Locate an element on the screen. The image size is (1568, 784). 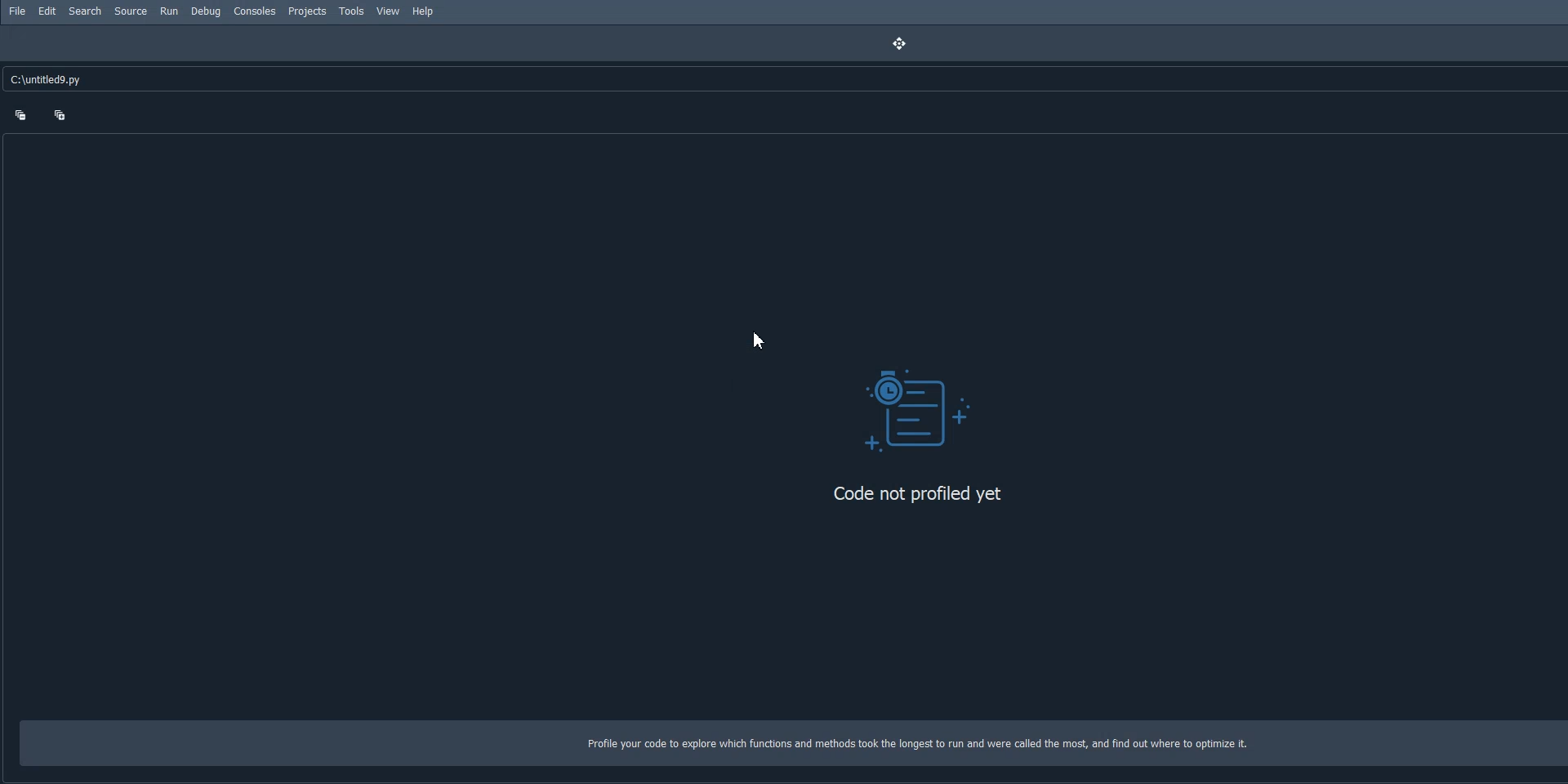
Visual Element is located at coordinates (923, 406).